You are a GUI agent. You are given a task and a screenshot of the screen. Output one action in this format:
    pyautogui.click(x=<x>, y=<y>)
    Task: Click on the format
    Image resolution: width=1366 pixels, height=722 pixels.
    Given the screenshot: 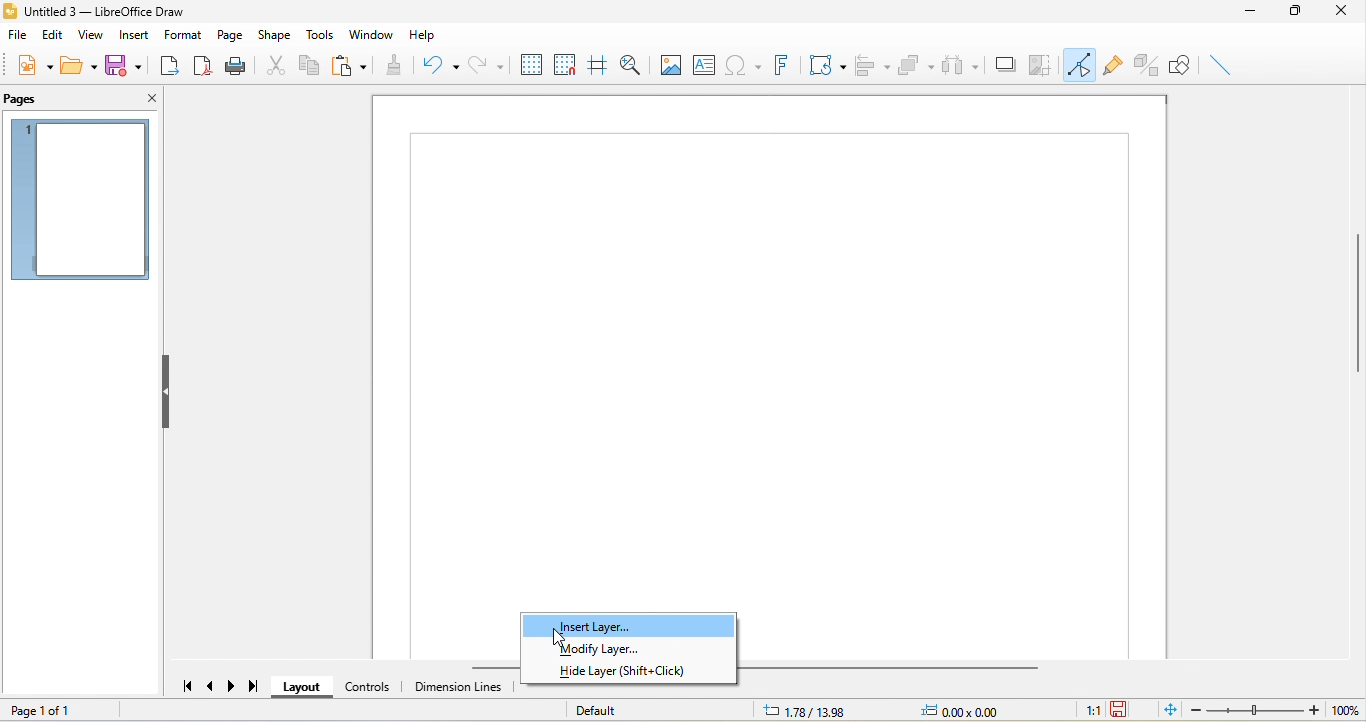 What is the action you would take?
    pyautogui.click(x=181, y=35)
    